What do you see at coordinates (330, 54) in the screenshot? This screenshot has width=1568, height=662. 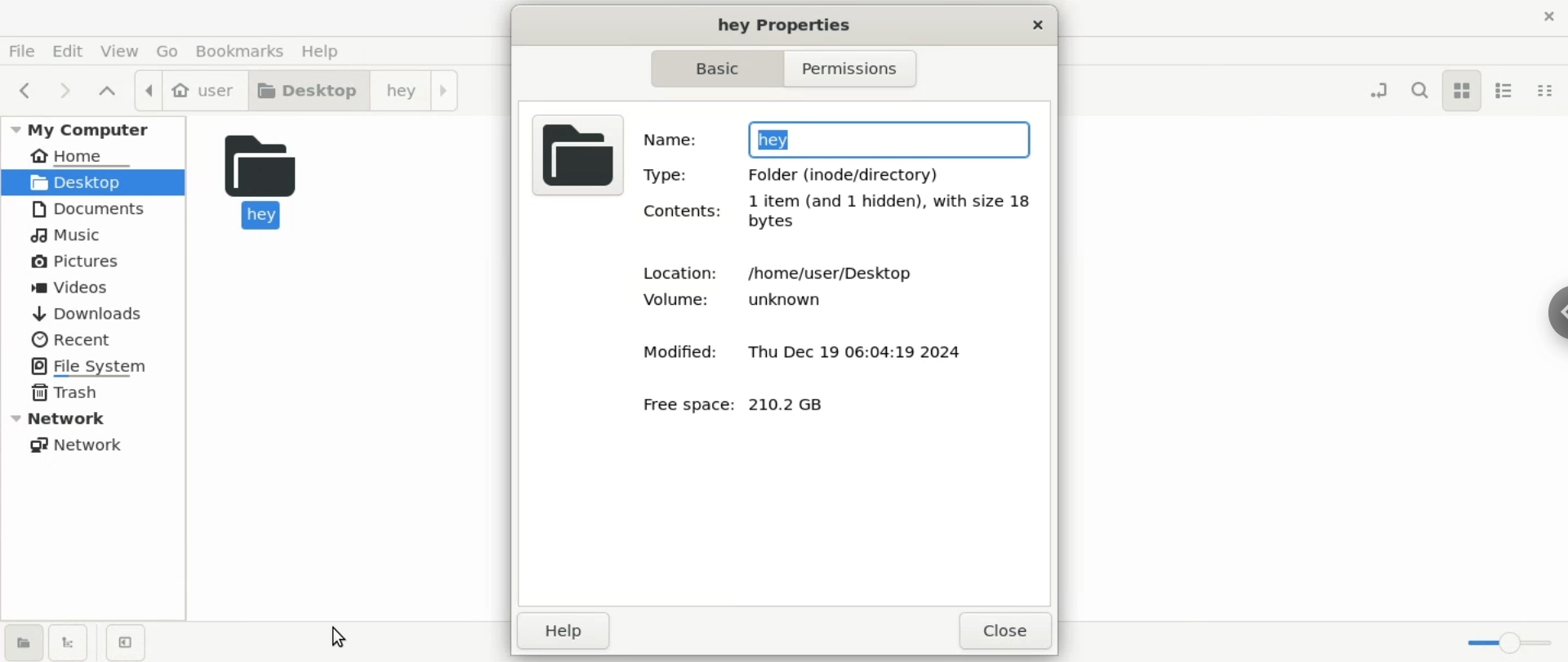 I see `help` at bounding box center [330, 54].